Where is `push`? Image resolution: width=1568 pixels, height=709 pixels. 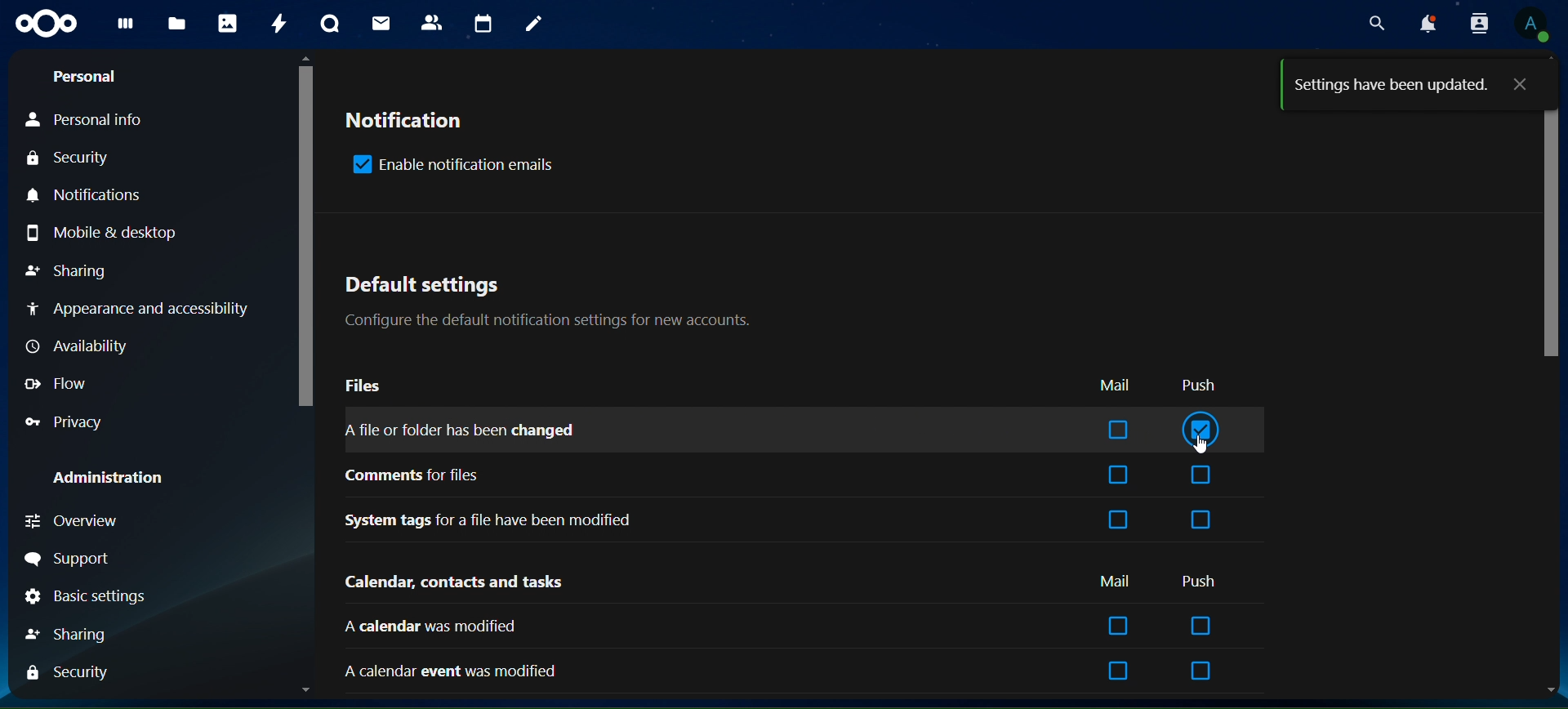 push is located at coordinates (1200, 580).